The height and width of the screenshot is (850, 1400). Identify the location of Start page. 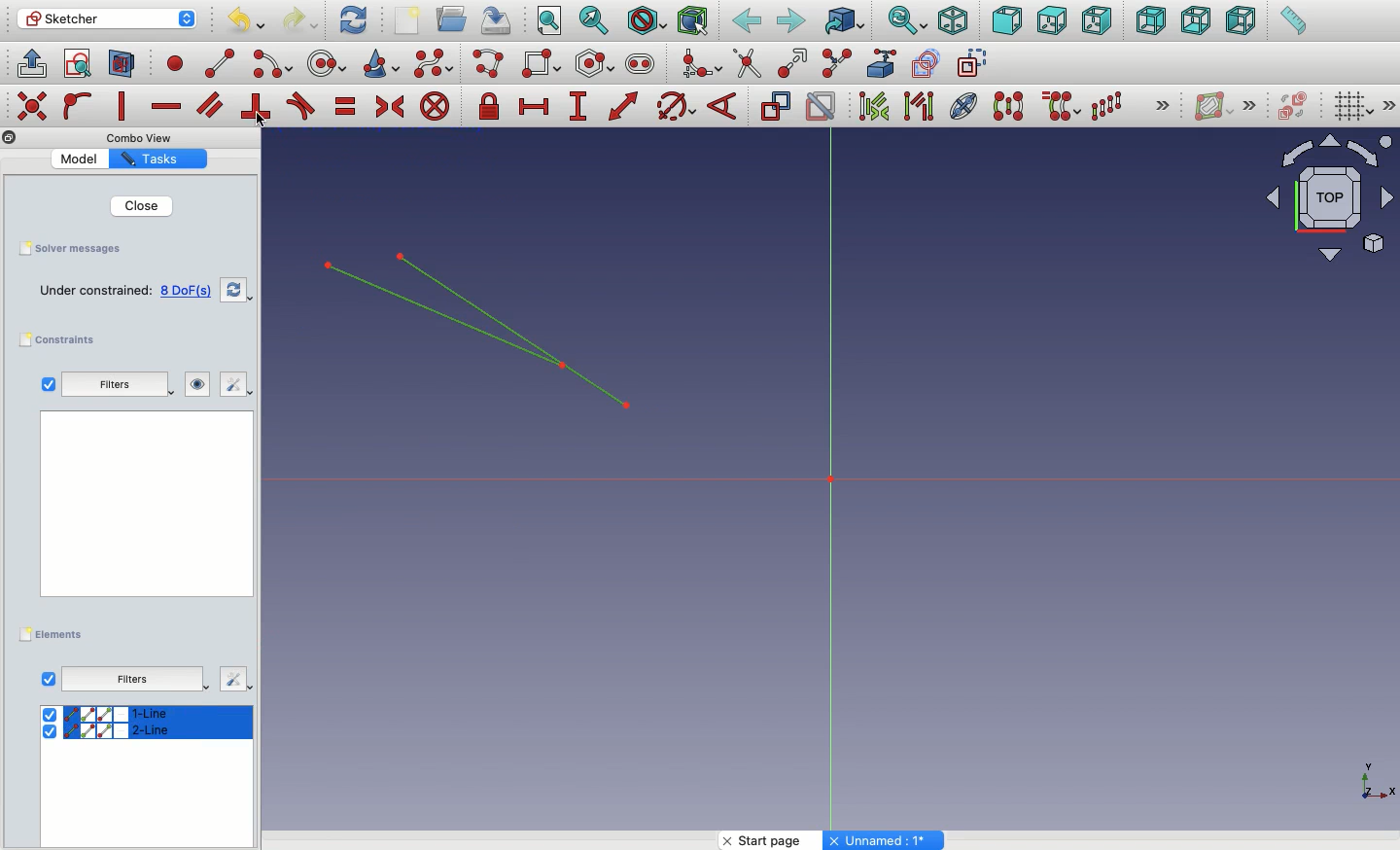
(772, 840).